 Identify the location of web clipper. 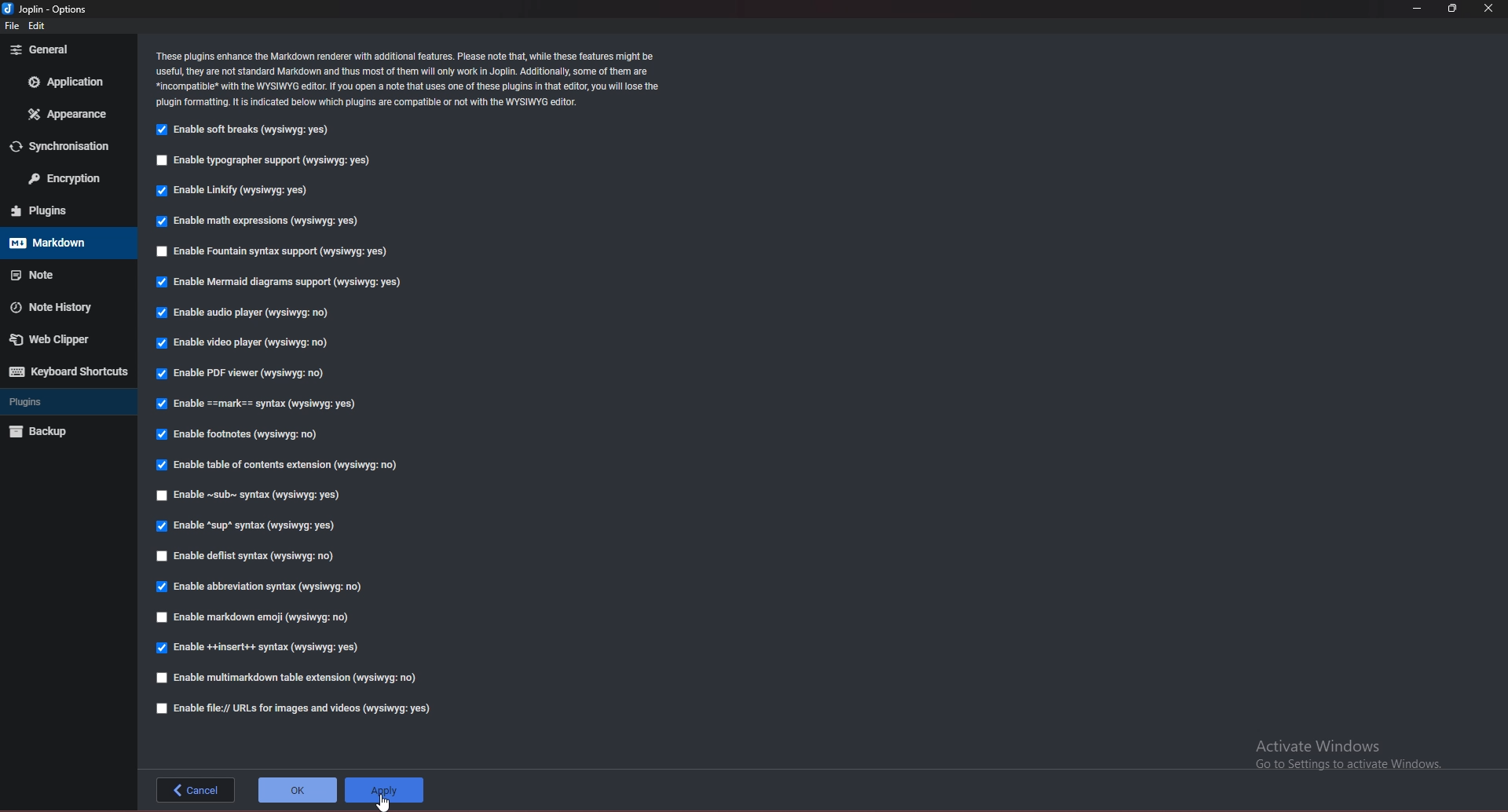
(61, 338).